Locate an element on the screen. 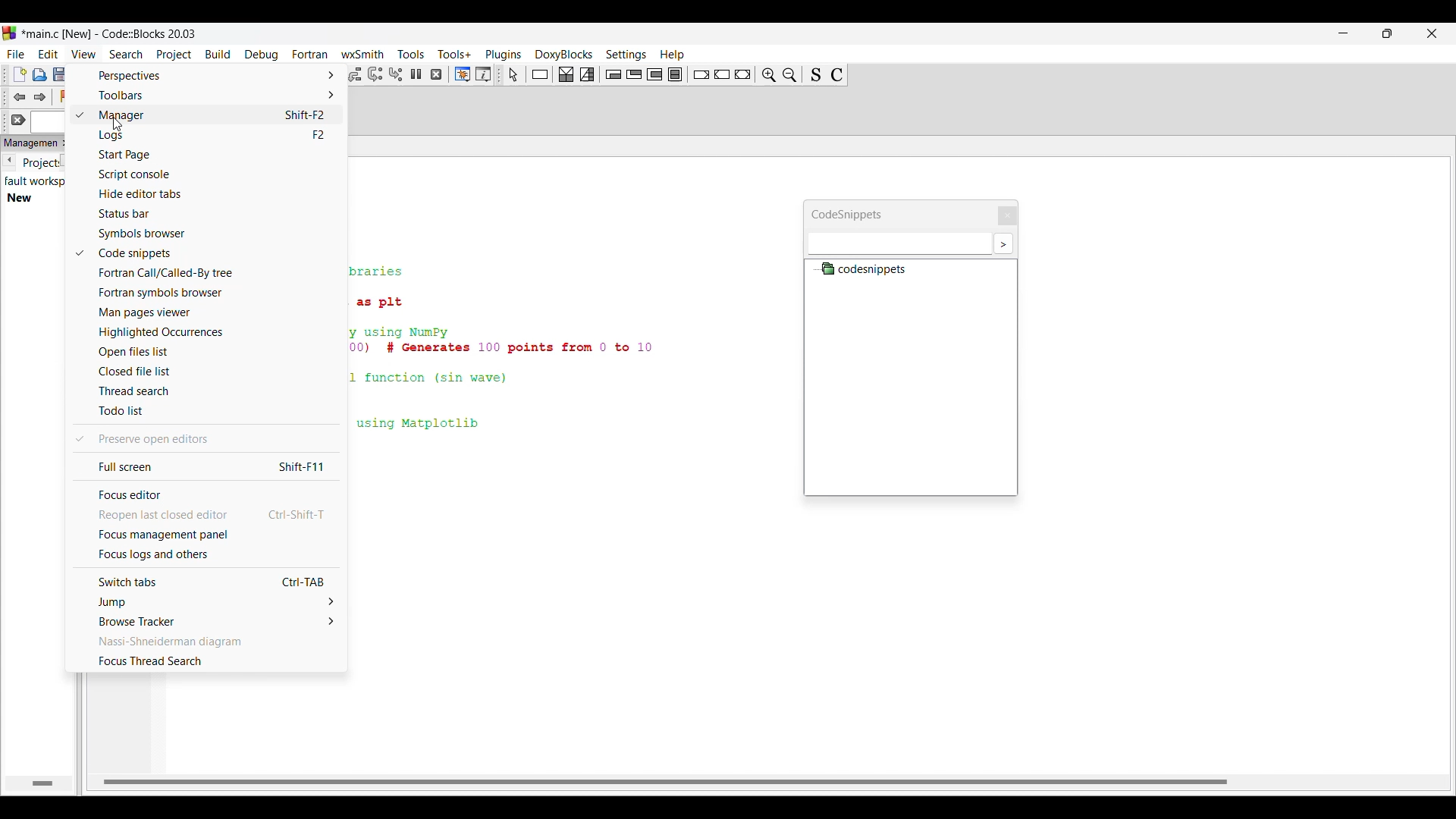 The image size is (1456, 819). Toggle back is located at coordinates (20, 98).